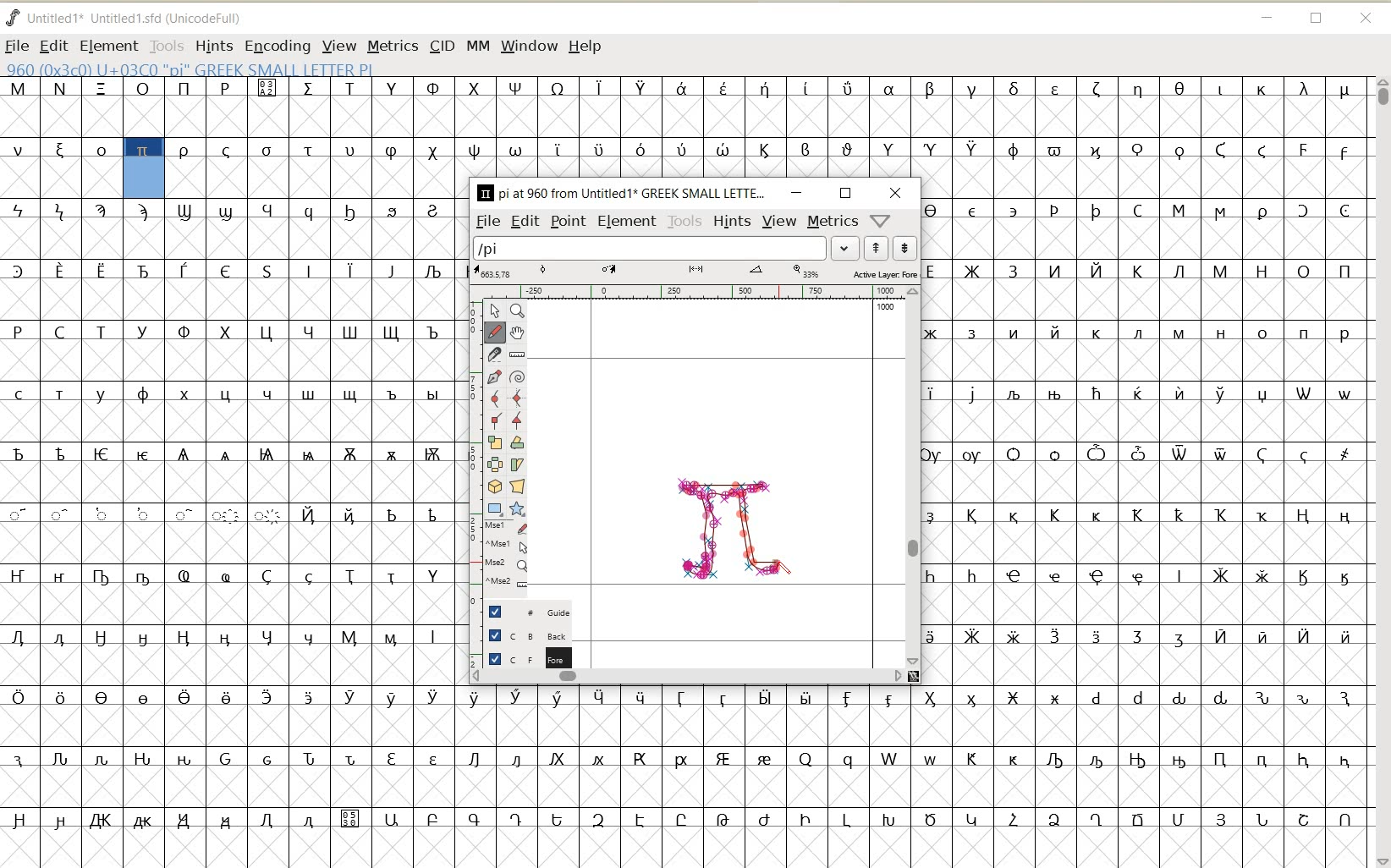 This screenshot has height=868, width=1391. What do you see at coordinates (914, 477) in the screenshot?
I see `SCROLLBAR` at bounding box center [914, 477].